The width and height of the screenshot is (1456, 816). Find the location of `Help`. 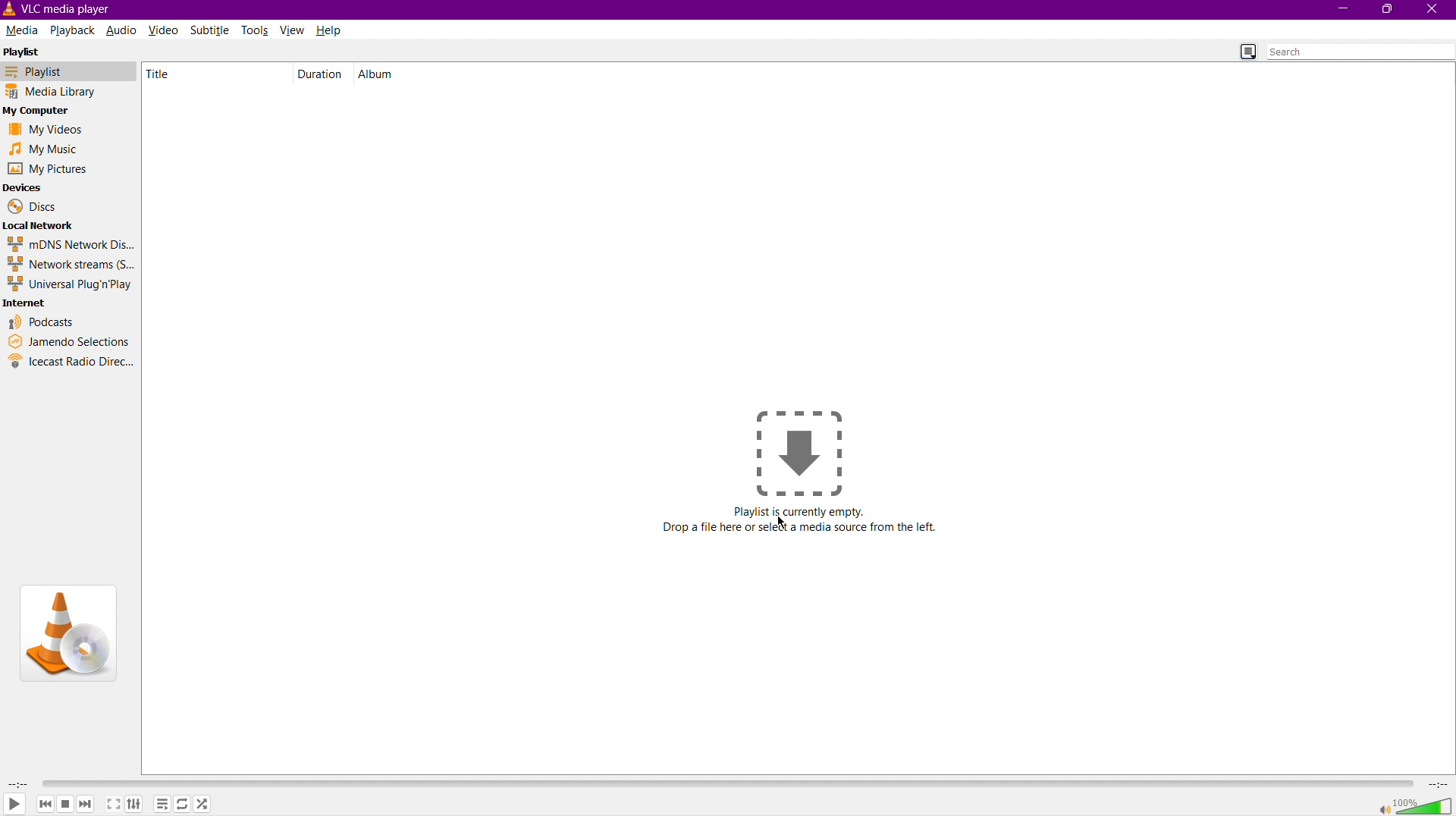

Help is located at coordinates (331, 29).